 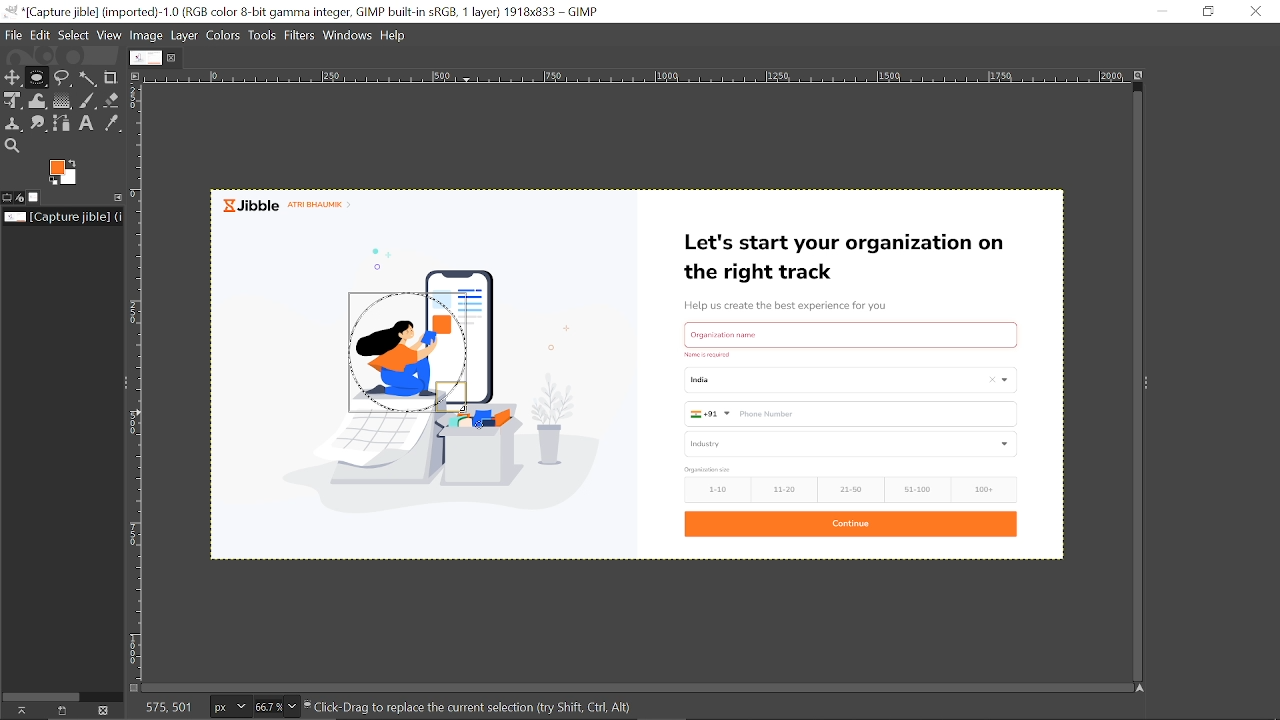 What do you see at coordinates (166, 707) in the screenshot?
I see `575, 501` at bounding box center [166, 707].